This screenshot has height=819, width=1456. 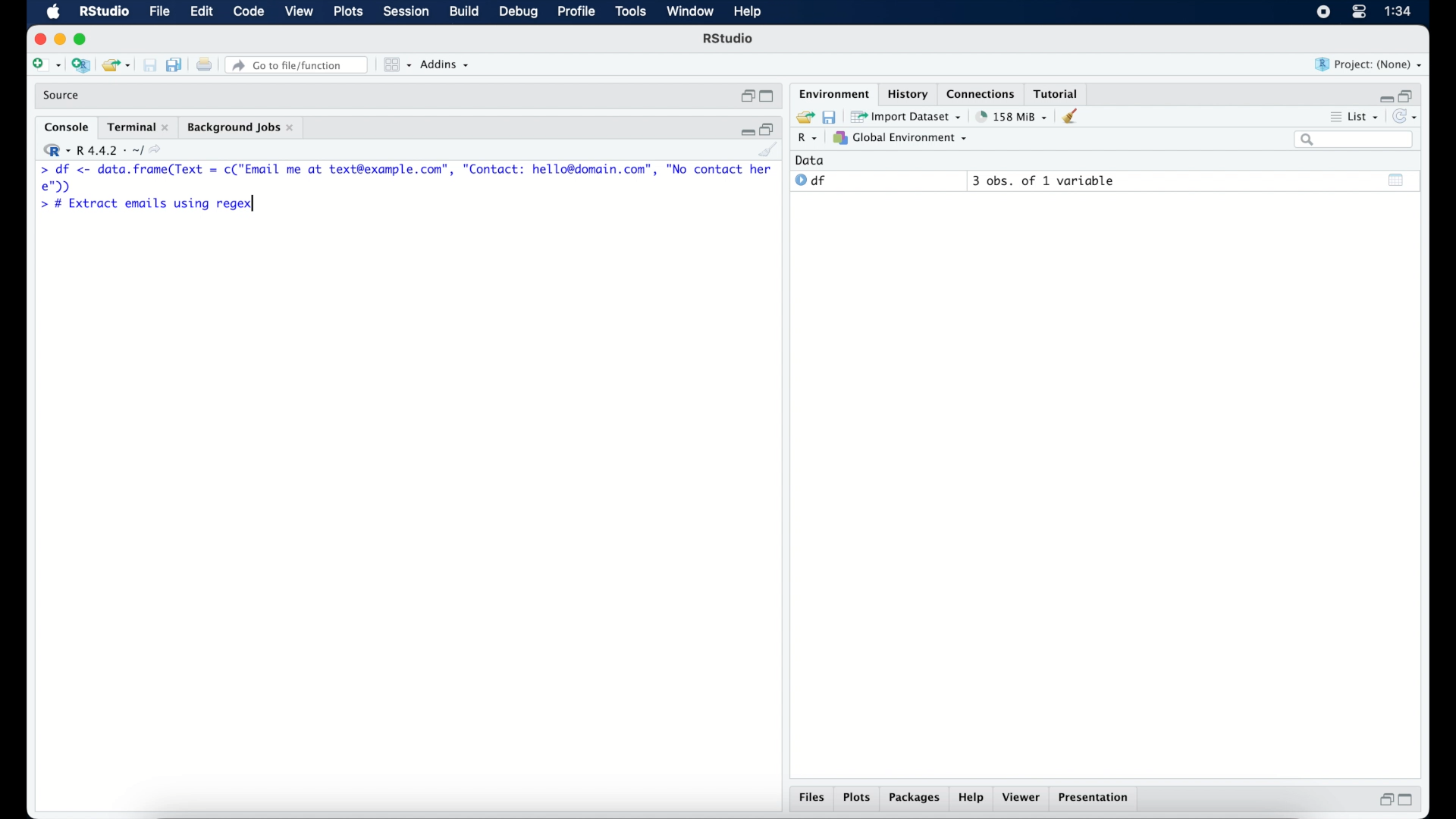 I want to click on console, so click(x=64, y=126).